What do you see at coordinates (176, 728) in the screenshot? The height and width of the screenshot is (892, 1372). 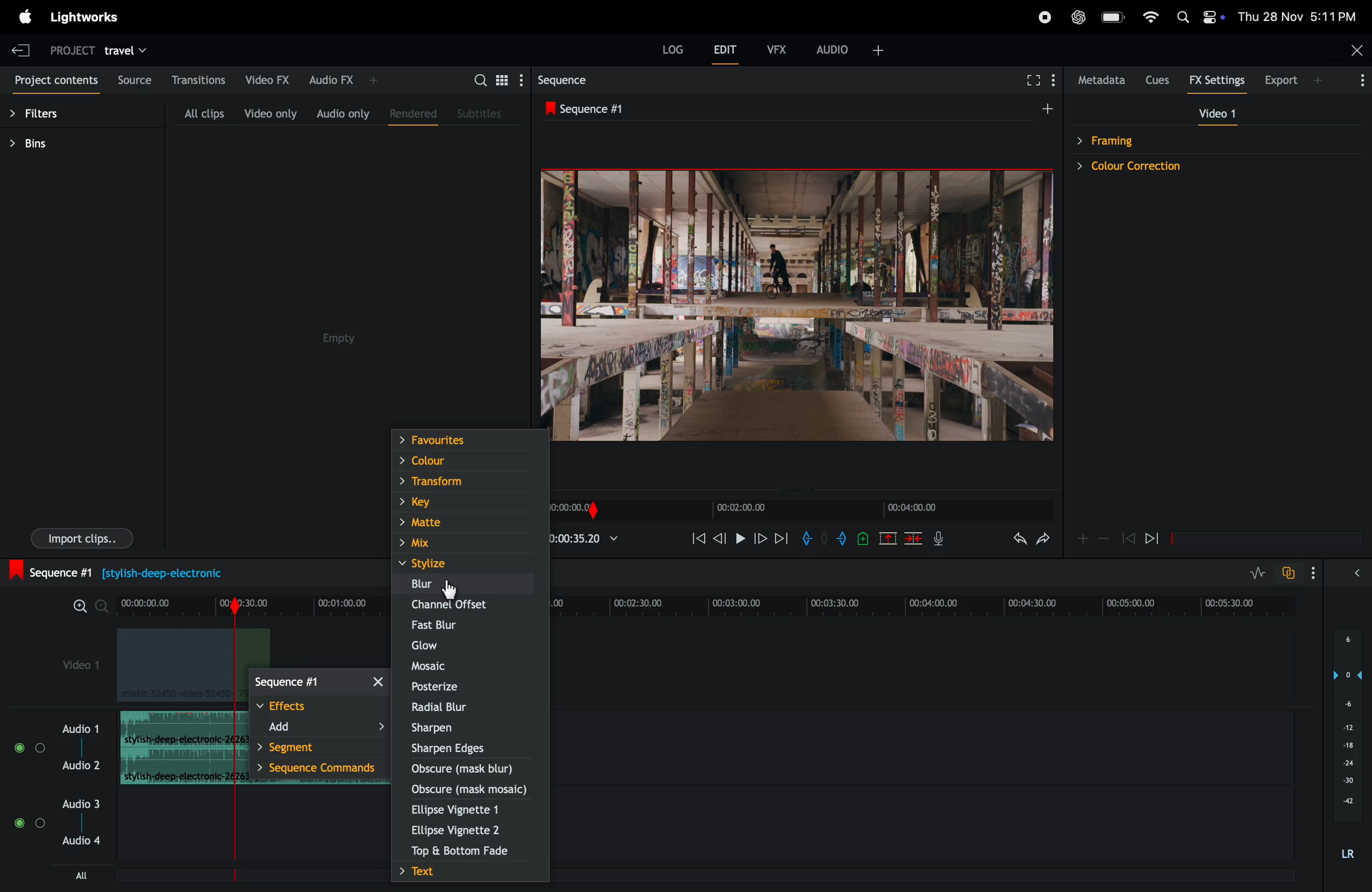 I see `audio track` at bounding box center [176, 728].